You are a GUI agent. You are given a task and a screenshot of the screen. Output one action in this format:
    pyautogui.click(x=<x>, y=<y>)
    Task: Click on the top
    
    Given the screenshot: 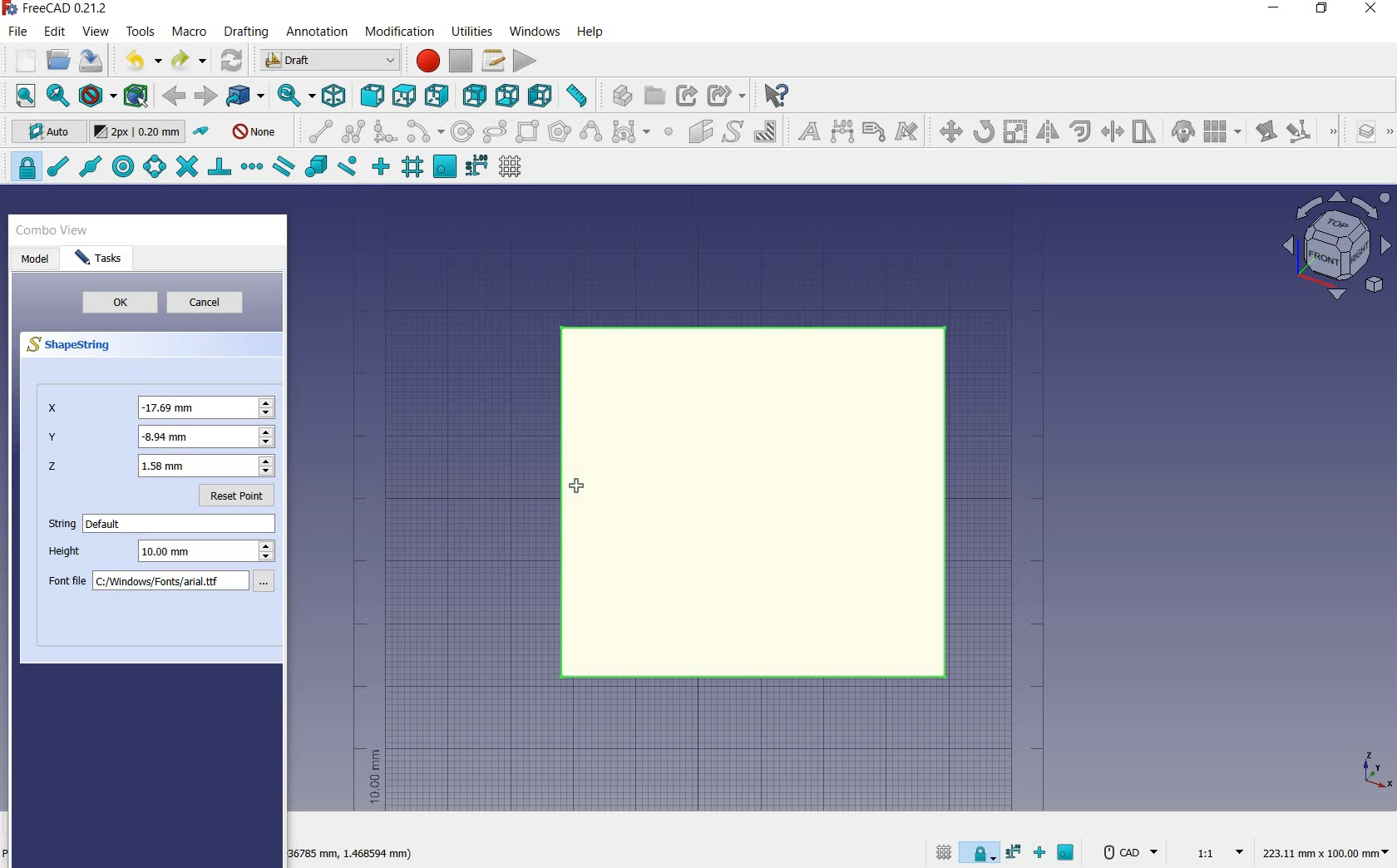 What is the action you would take?
    pyautogui.click(x=405, y=95)
    